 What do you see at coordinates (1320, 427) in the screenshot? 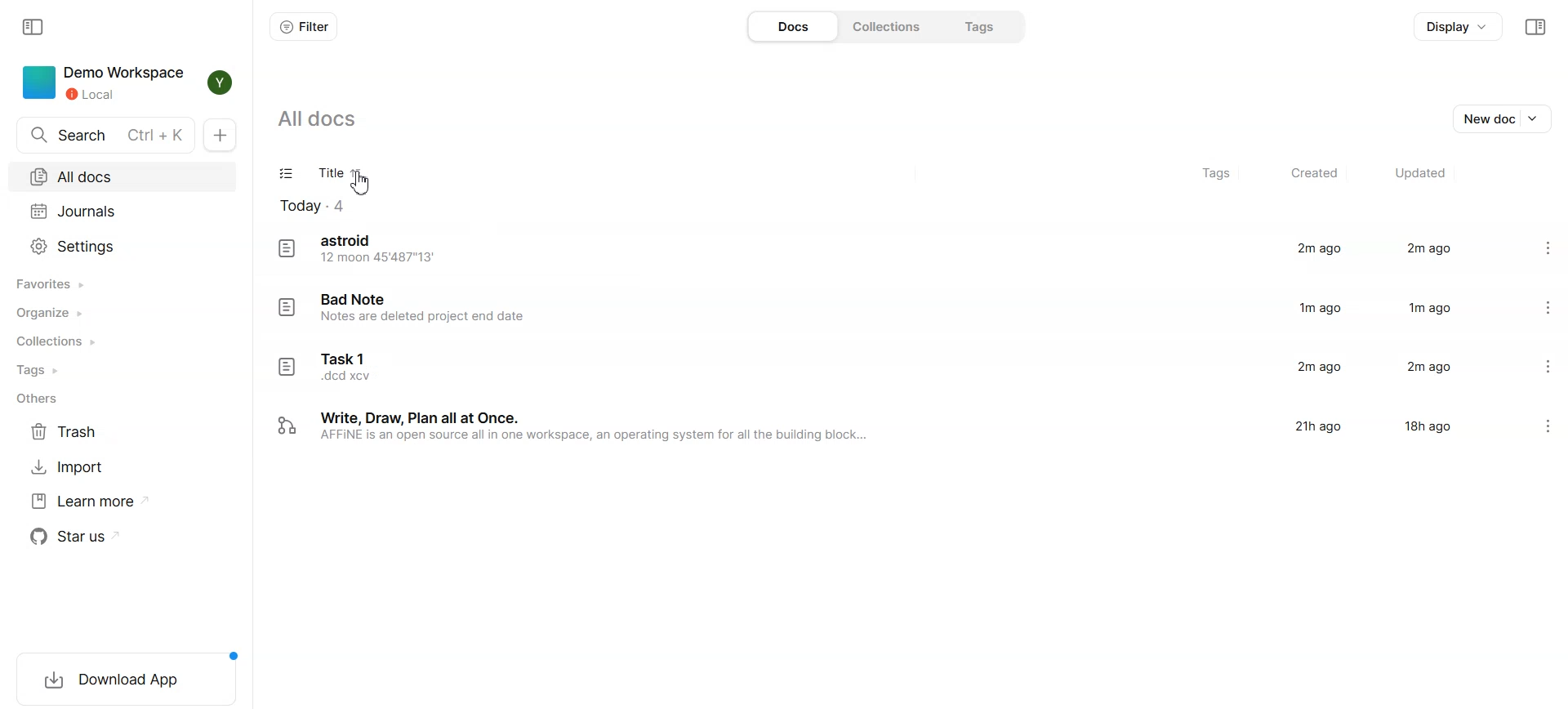
I see `21h ago` at bounding box center [1320, 427].